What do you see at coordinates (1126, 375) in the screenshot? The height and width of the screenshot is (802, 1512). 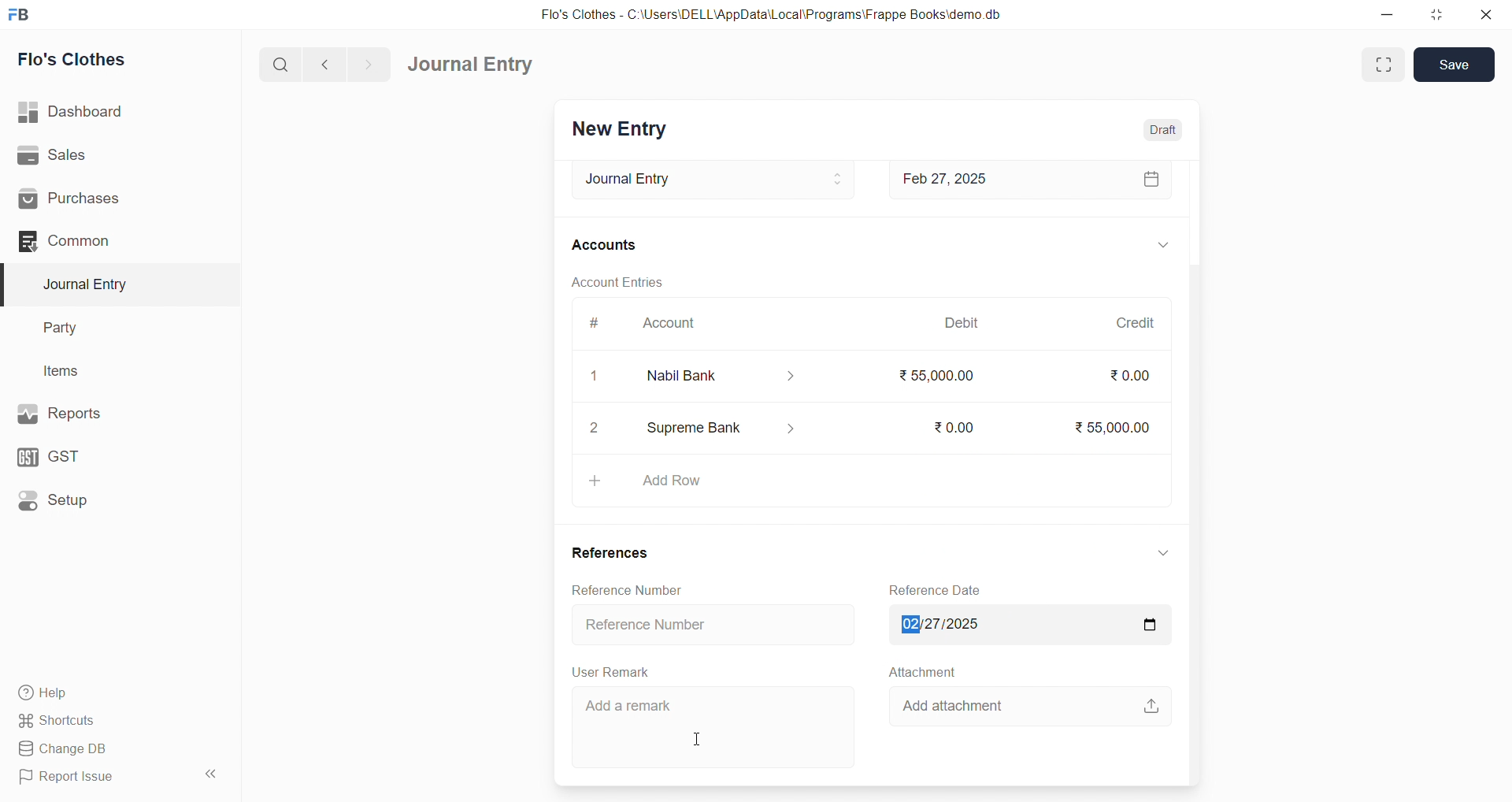 I see `₹0.00` at bounding box center [1126, 375].